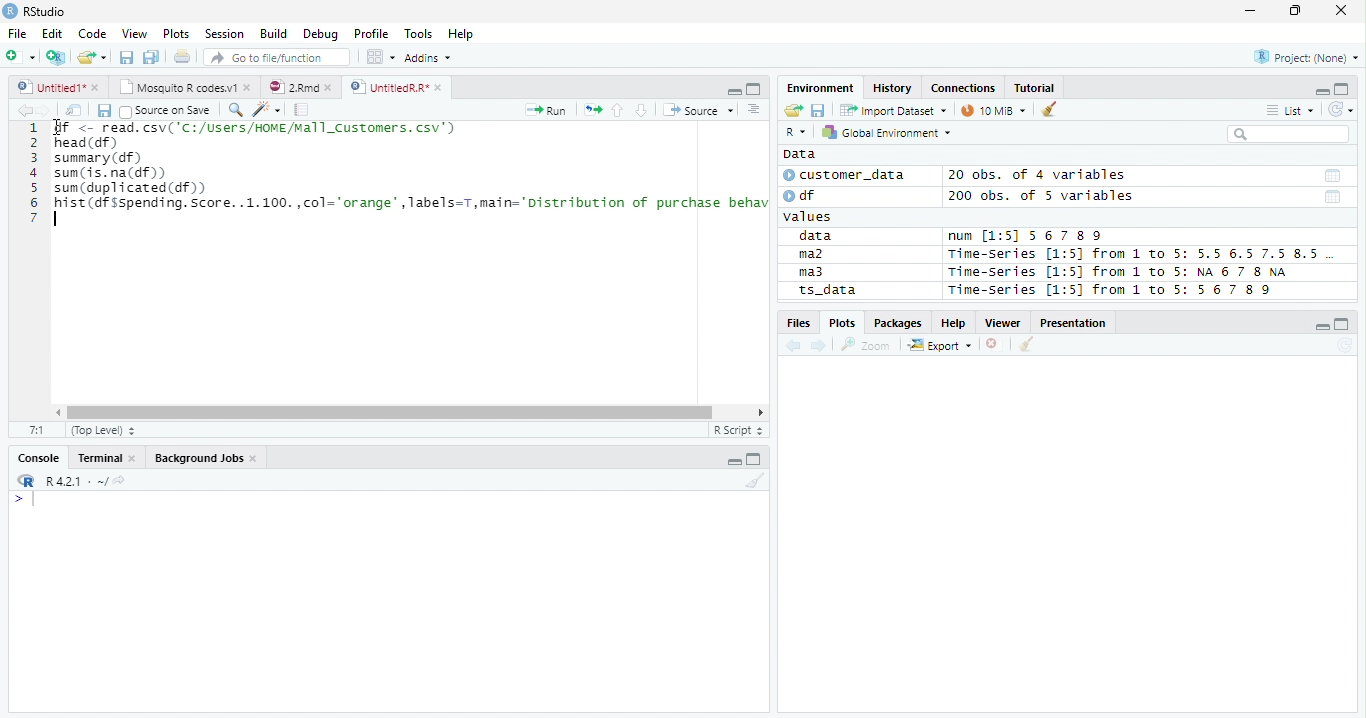  Describe the element at coordinates (1051, 108) in the screenshot. I see `Clean` at that location.